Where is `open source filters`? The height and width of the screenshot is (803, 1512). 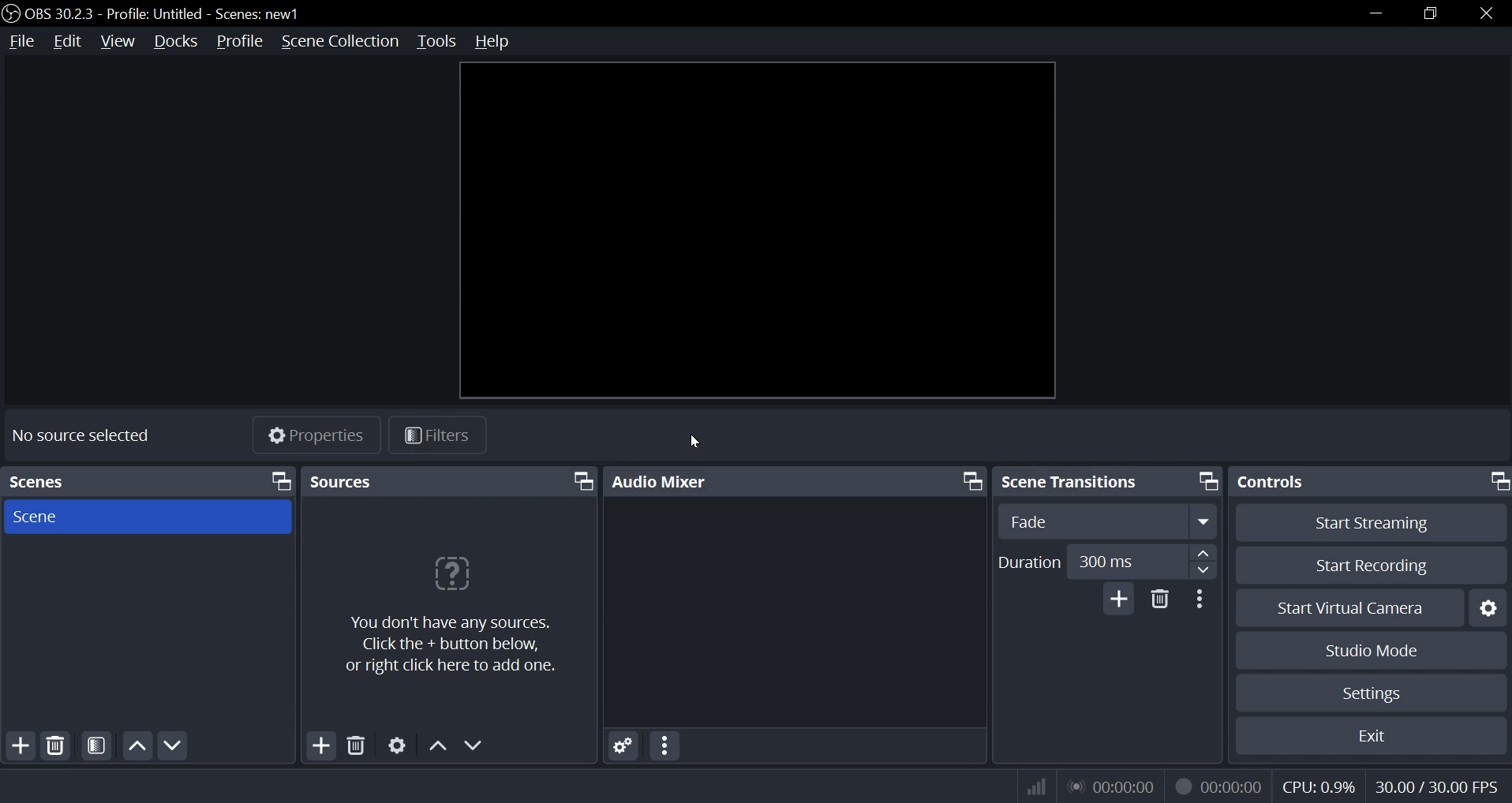
open source filters is located at coordinates (95, 745).